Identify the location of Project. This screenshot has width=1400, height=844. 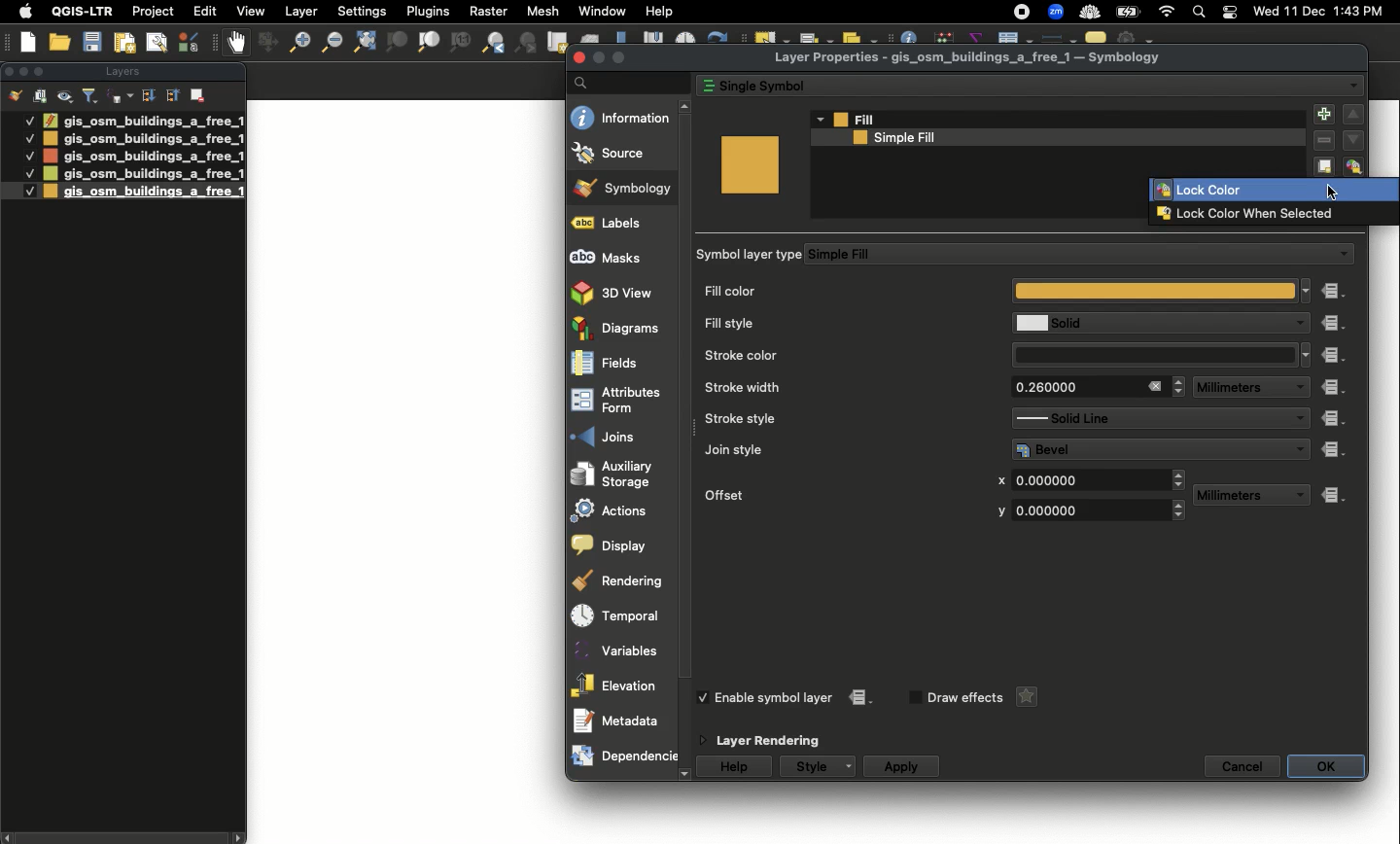
(153, 13).